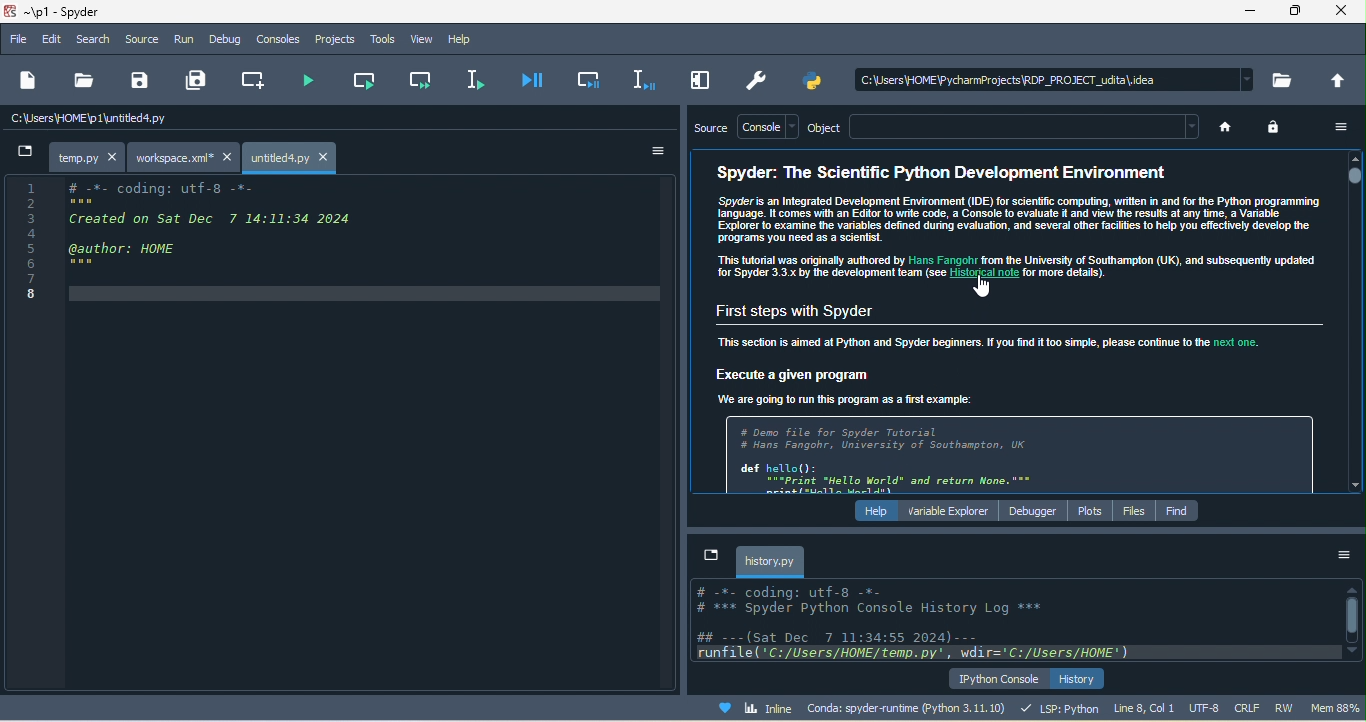 This screenshot has height=722, width=1366. I want to click on run current cell, so click(363, 83).